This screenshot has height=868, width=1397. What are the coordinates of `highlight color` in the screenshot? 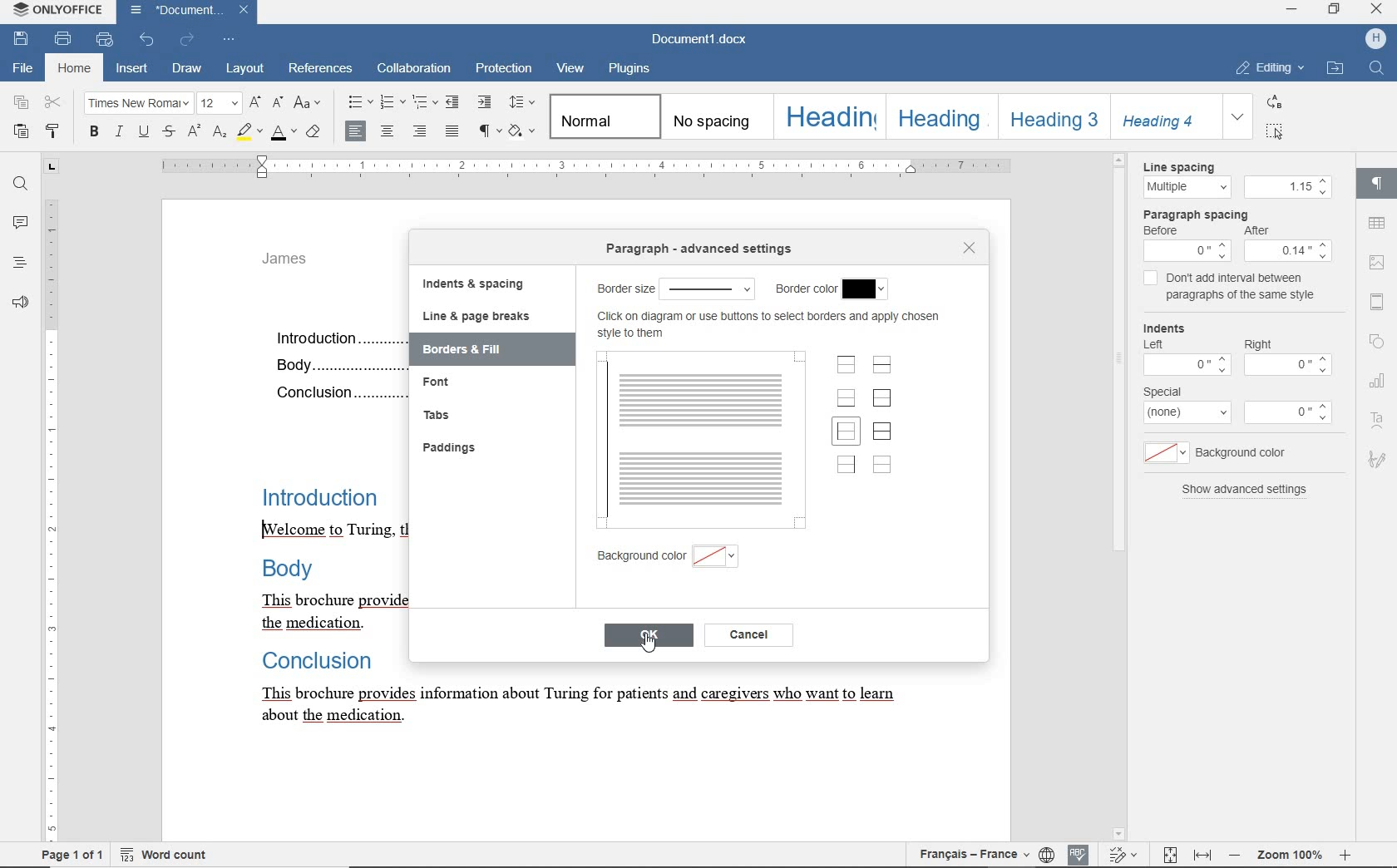 It's located at (250, 133).